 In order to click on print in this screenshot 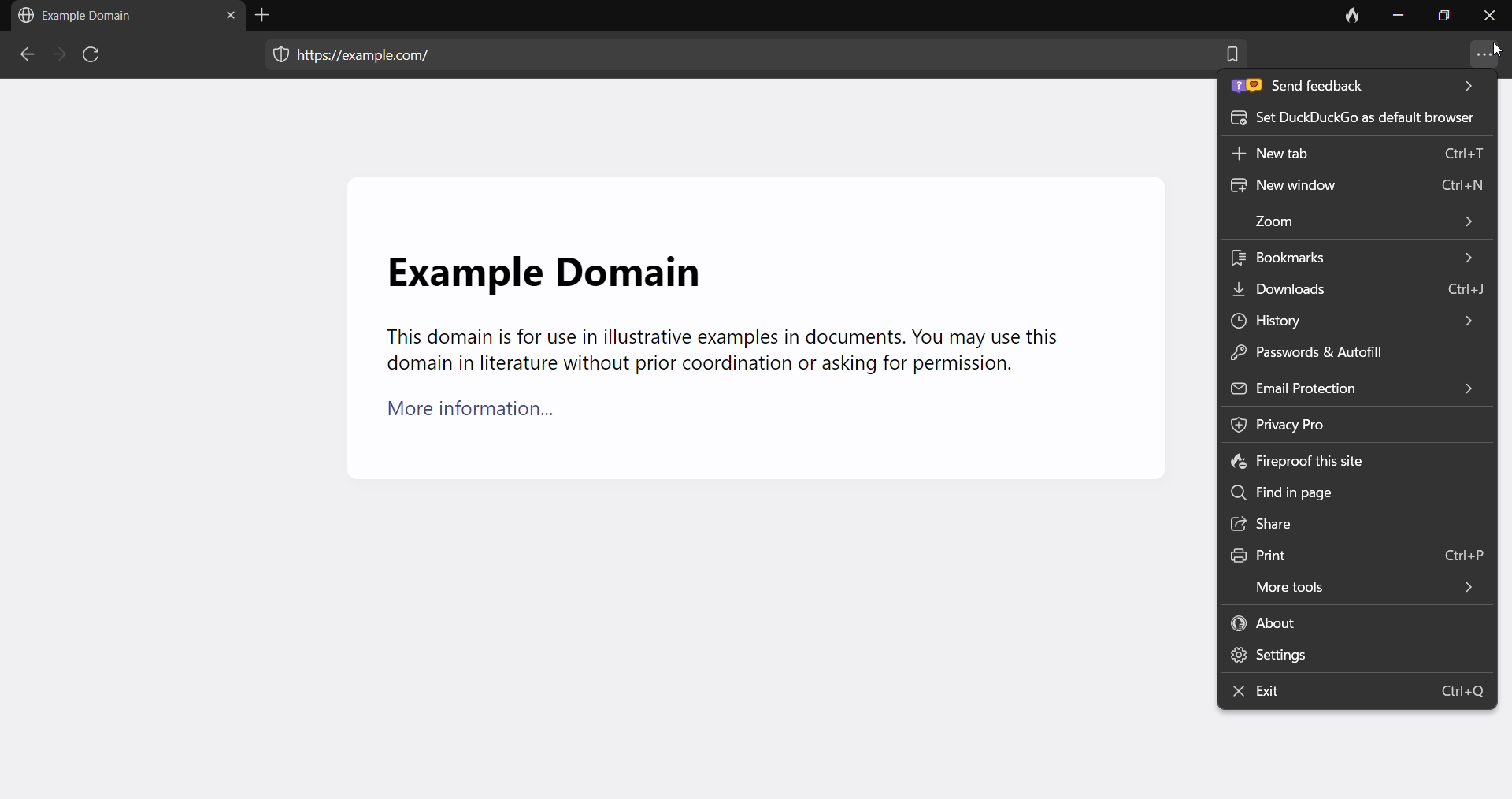, I will do `click(1354, 552)`.